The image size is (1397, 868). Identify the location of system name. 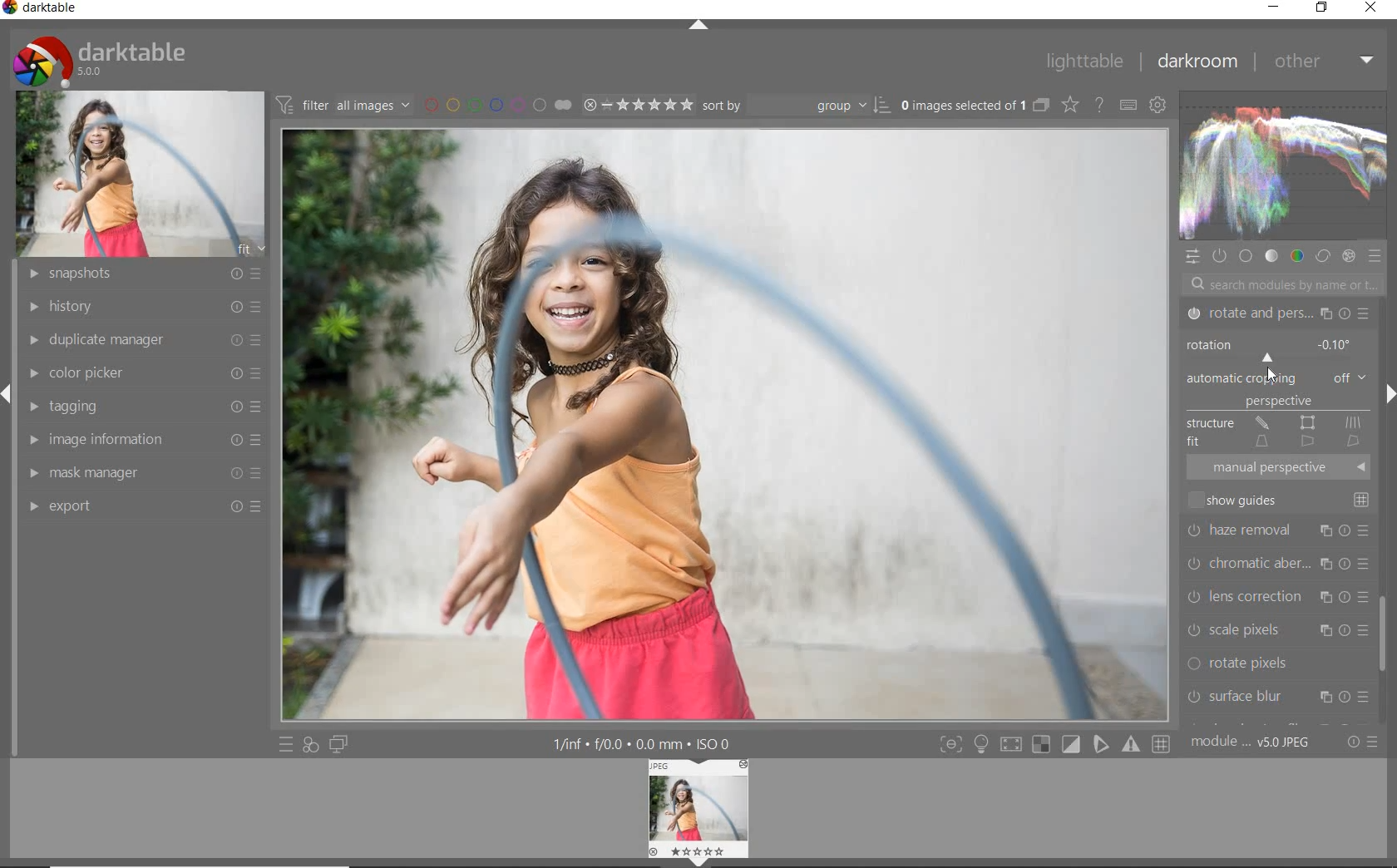
(42, 10).